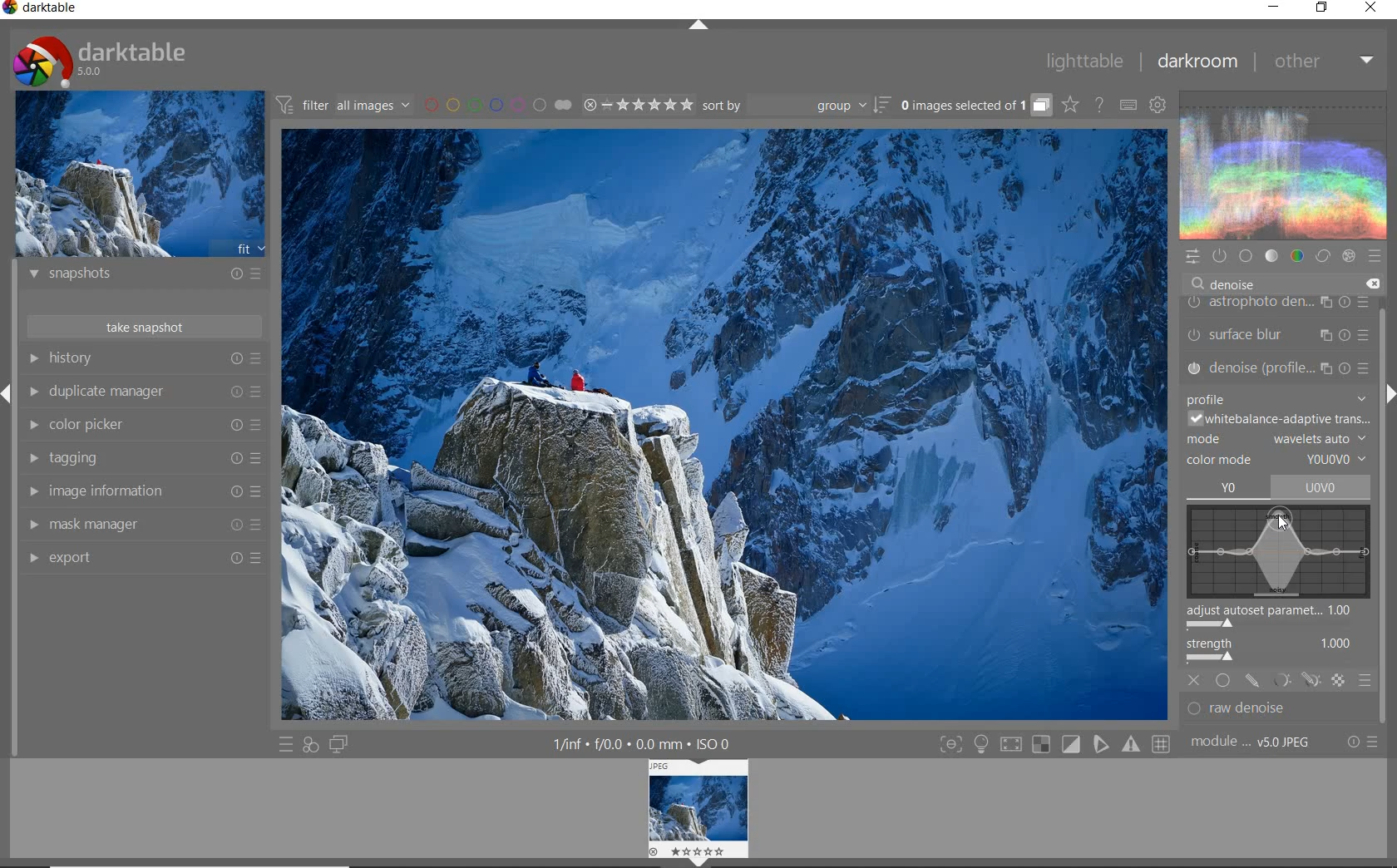 The width and height of the screenshot is (1397, 868). What do you see at coordinates (700, 812) in the screenshot?
I see `IMAGE` at bounding box center [700, 812].